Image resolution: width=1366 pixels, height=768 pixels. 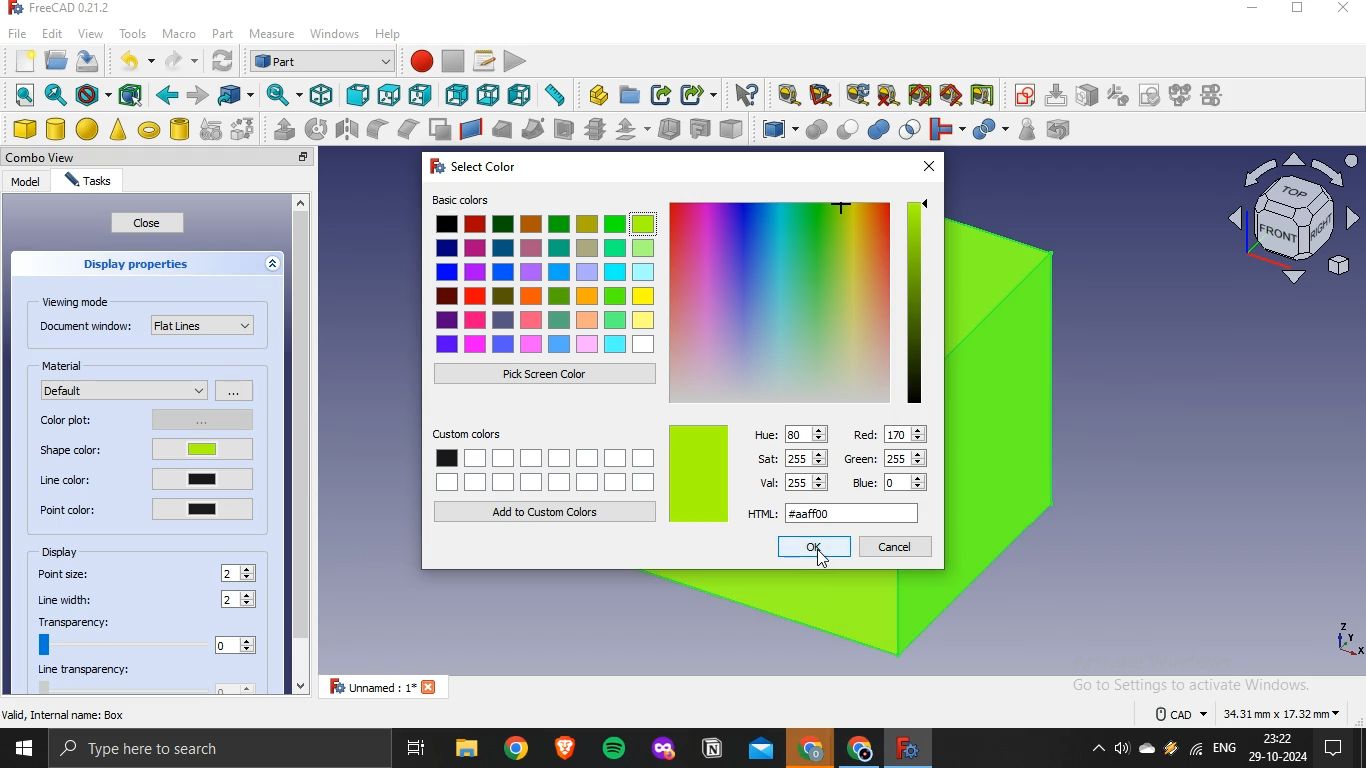 What do you see at coordinates (272, 35) in the screenshot?
I see `measure` at bounding box center [272, 35].